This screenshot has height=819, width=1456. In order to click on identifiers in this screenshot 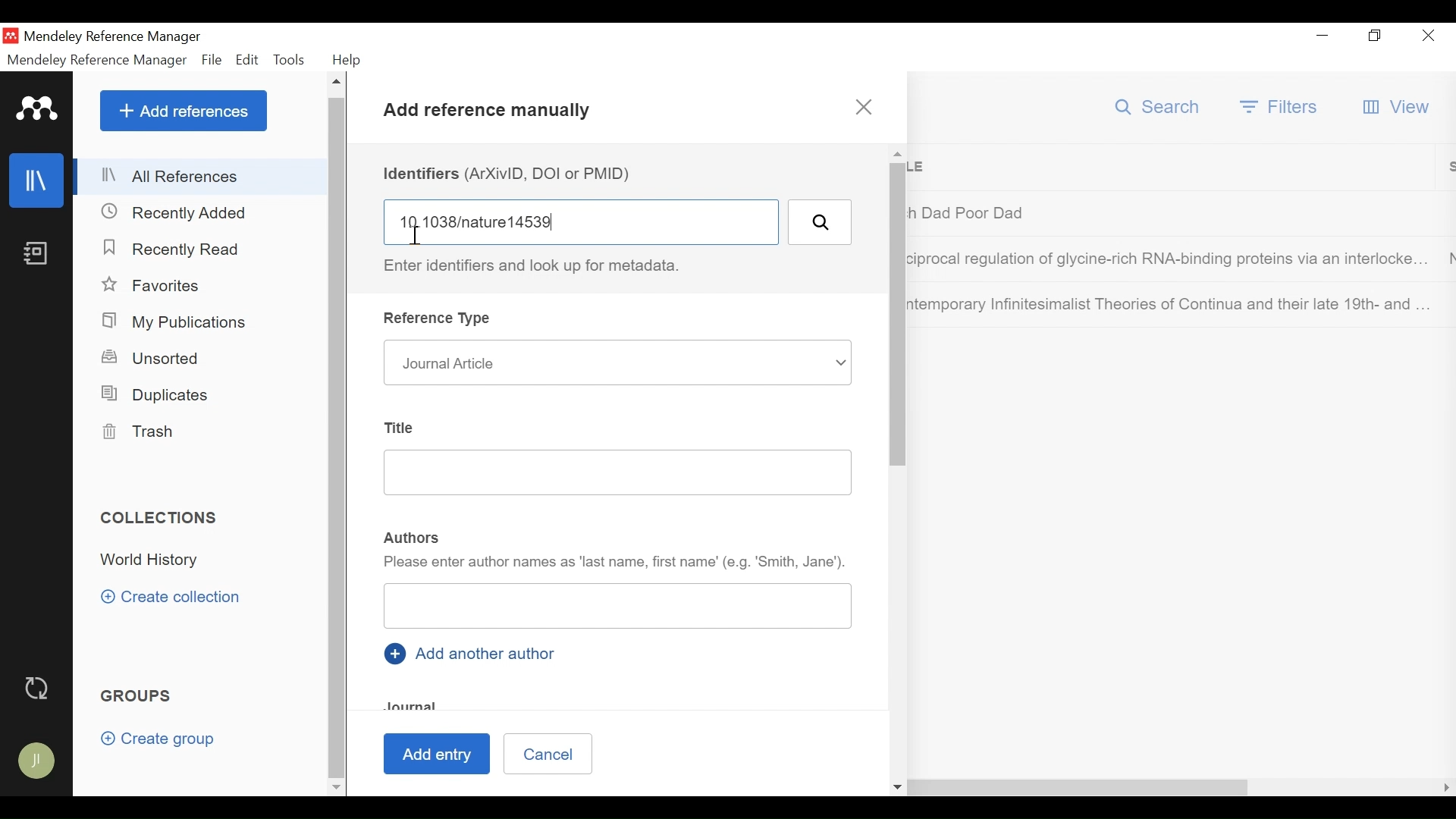, I will do `click(584, 221)`.